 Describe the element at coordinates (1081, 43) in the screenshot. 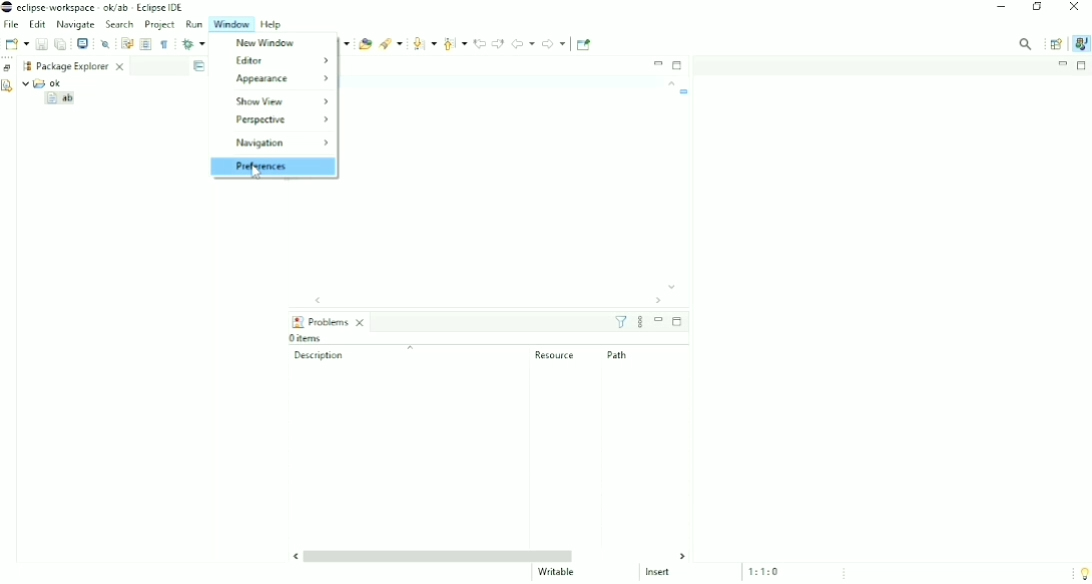

I see `Java` at that location.